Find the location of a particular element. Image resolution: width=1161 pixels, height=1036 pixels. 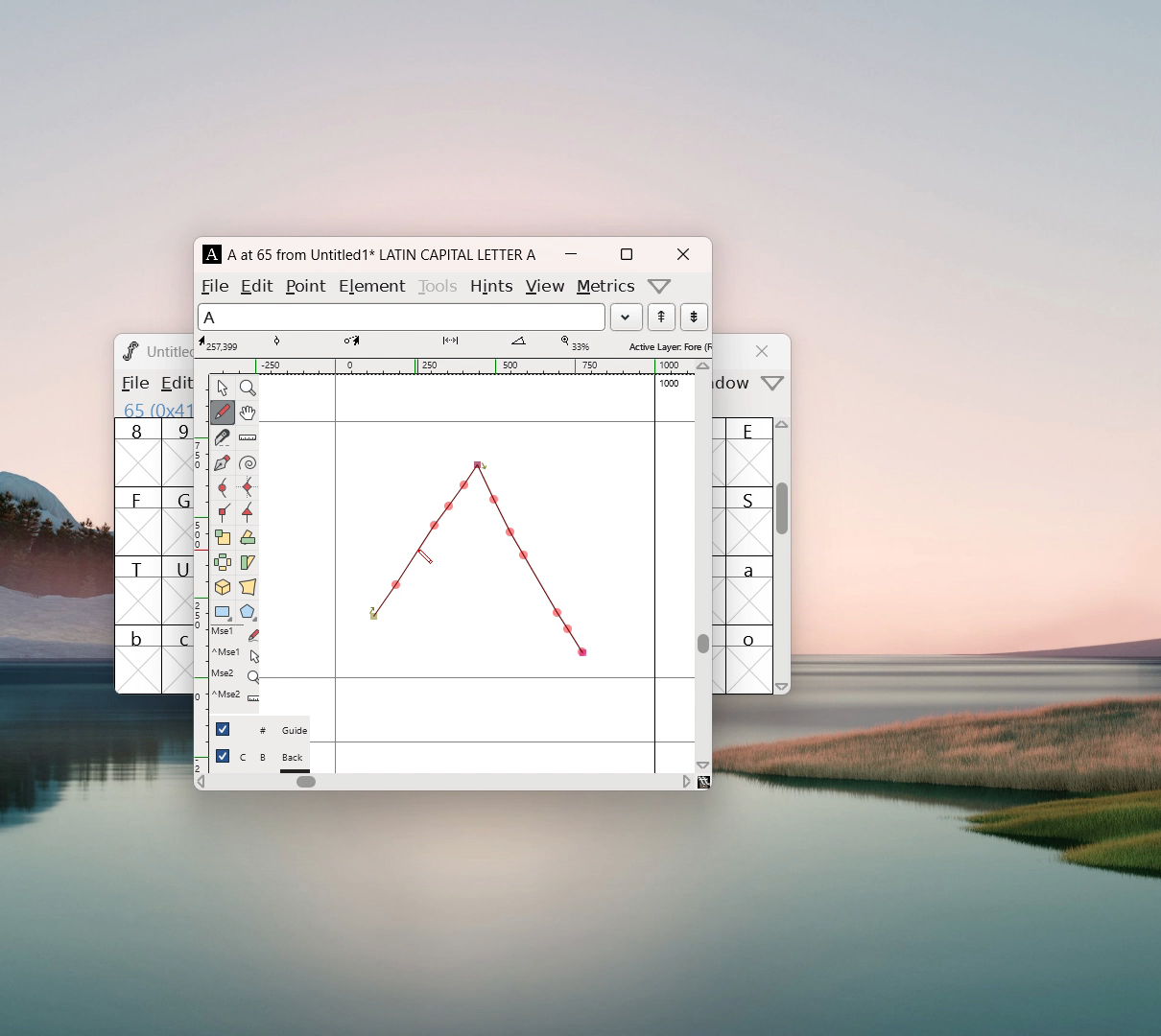

add a point then drag out its conttrol points is located at coordinates (222, 464).